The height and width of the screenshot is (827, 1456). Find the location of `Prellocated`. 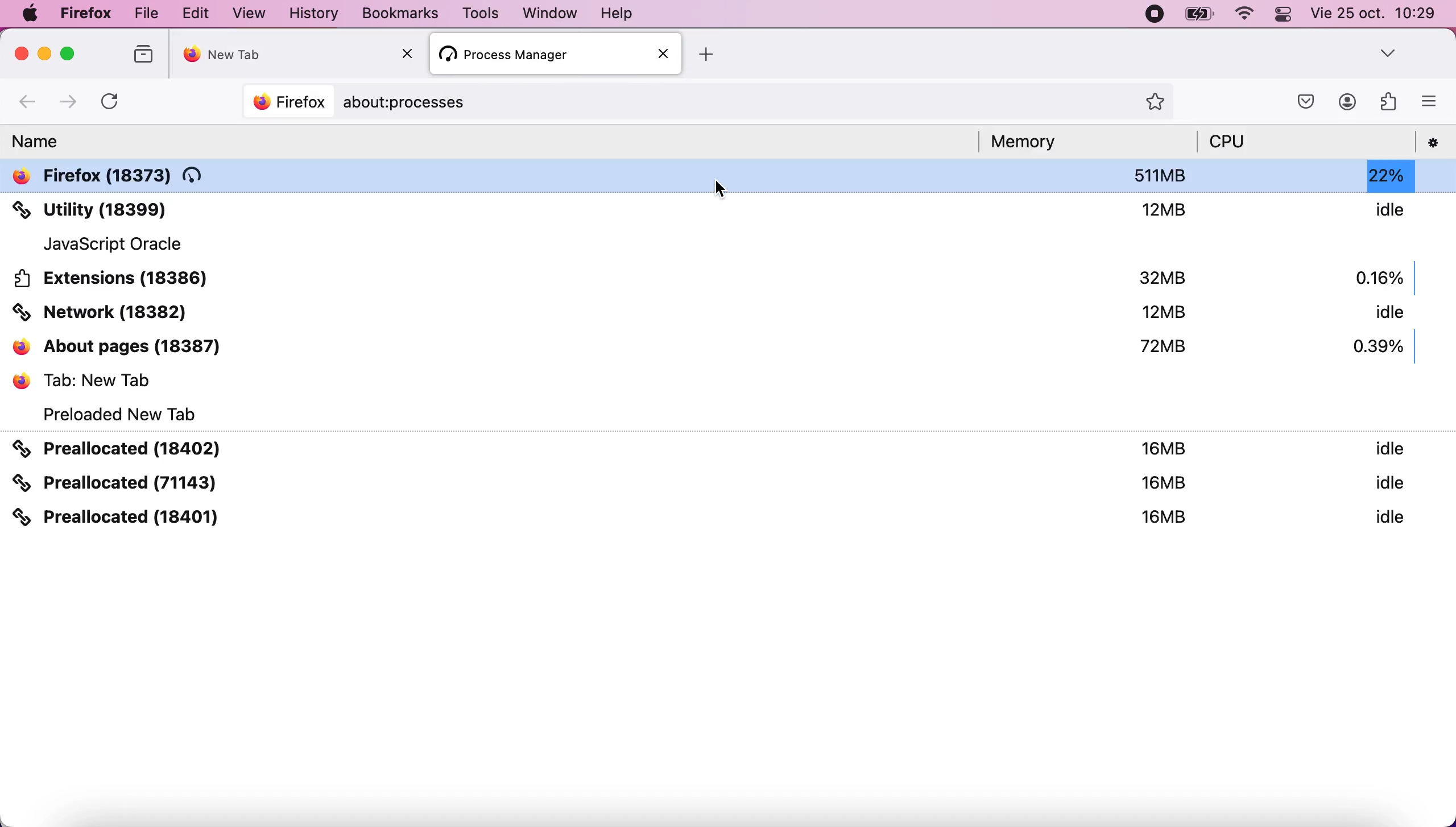

Prellocated is located at coordinates (728, 448).